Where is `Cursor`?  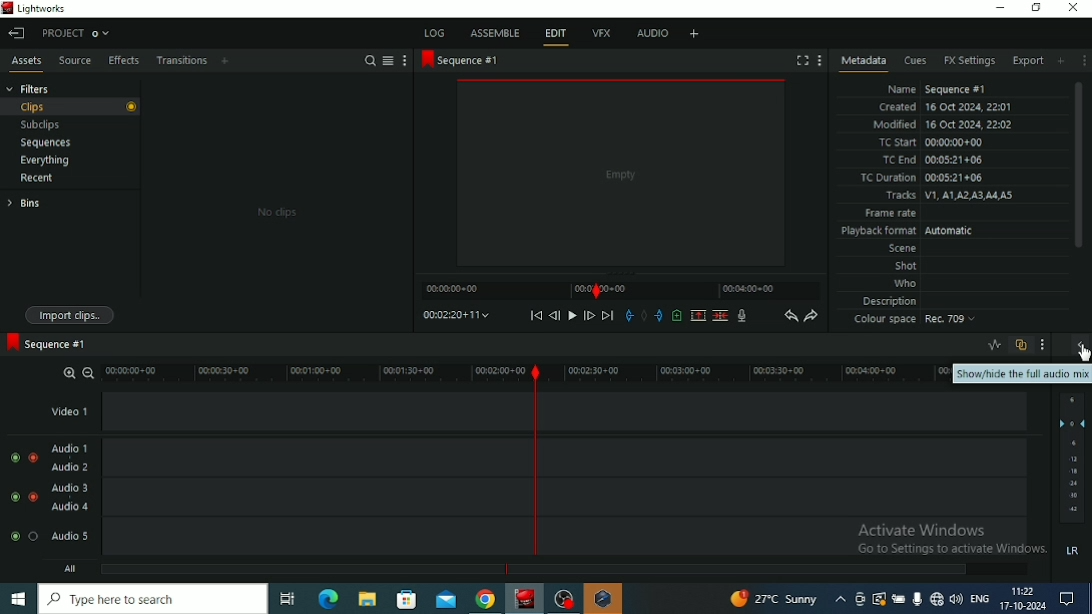
Cursor is located at coordinates (1082, 354).